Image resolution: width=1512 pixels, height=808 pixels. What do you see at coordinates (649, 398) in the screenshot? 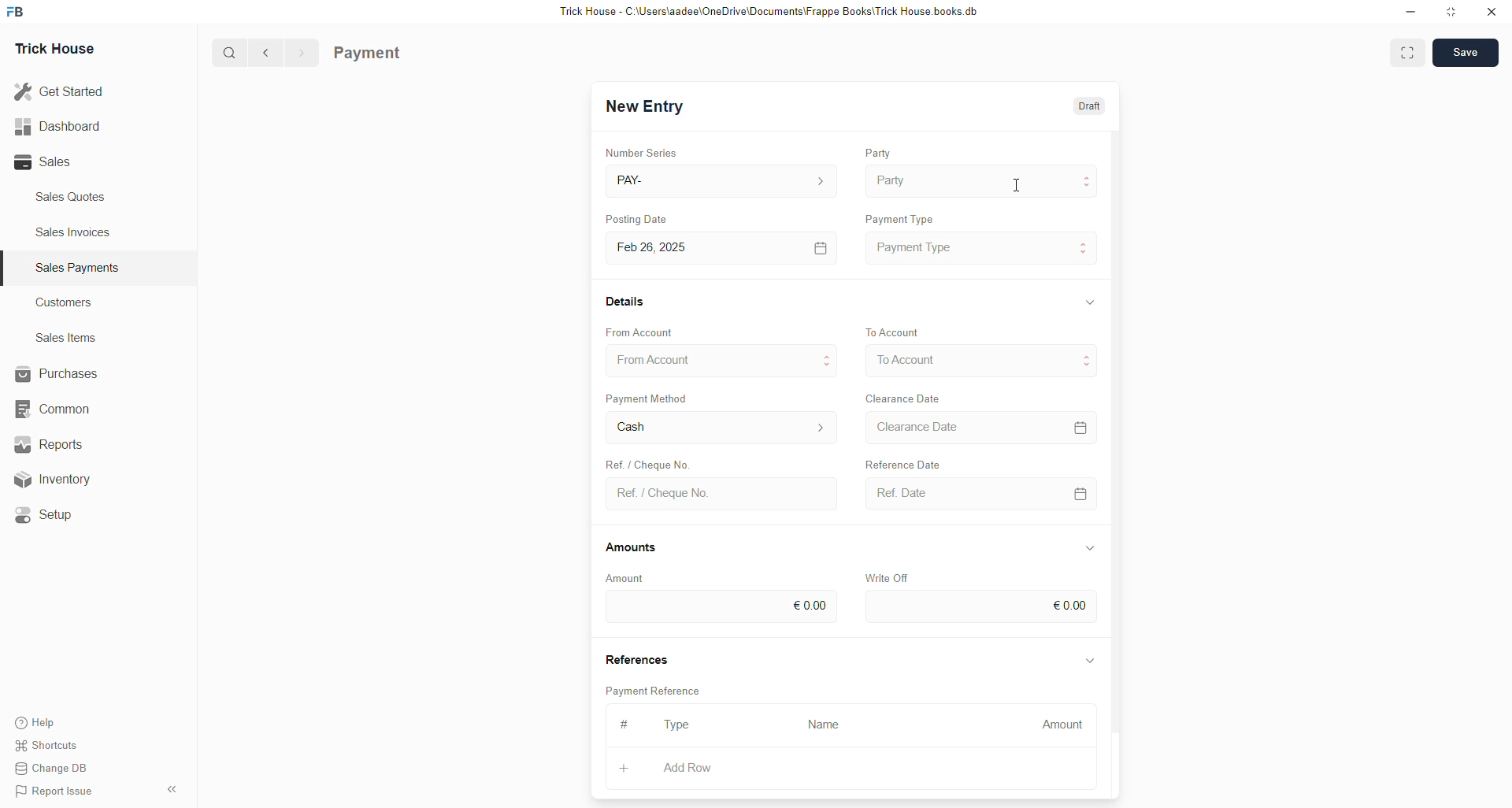
I see `Payment Method` at bounding box center [649, 398].